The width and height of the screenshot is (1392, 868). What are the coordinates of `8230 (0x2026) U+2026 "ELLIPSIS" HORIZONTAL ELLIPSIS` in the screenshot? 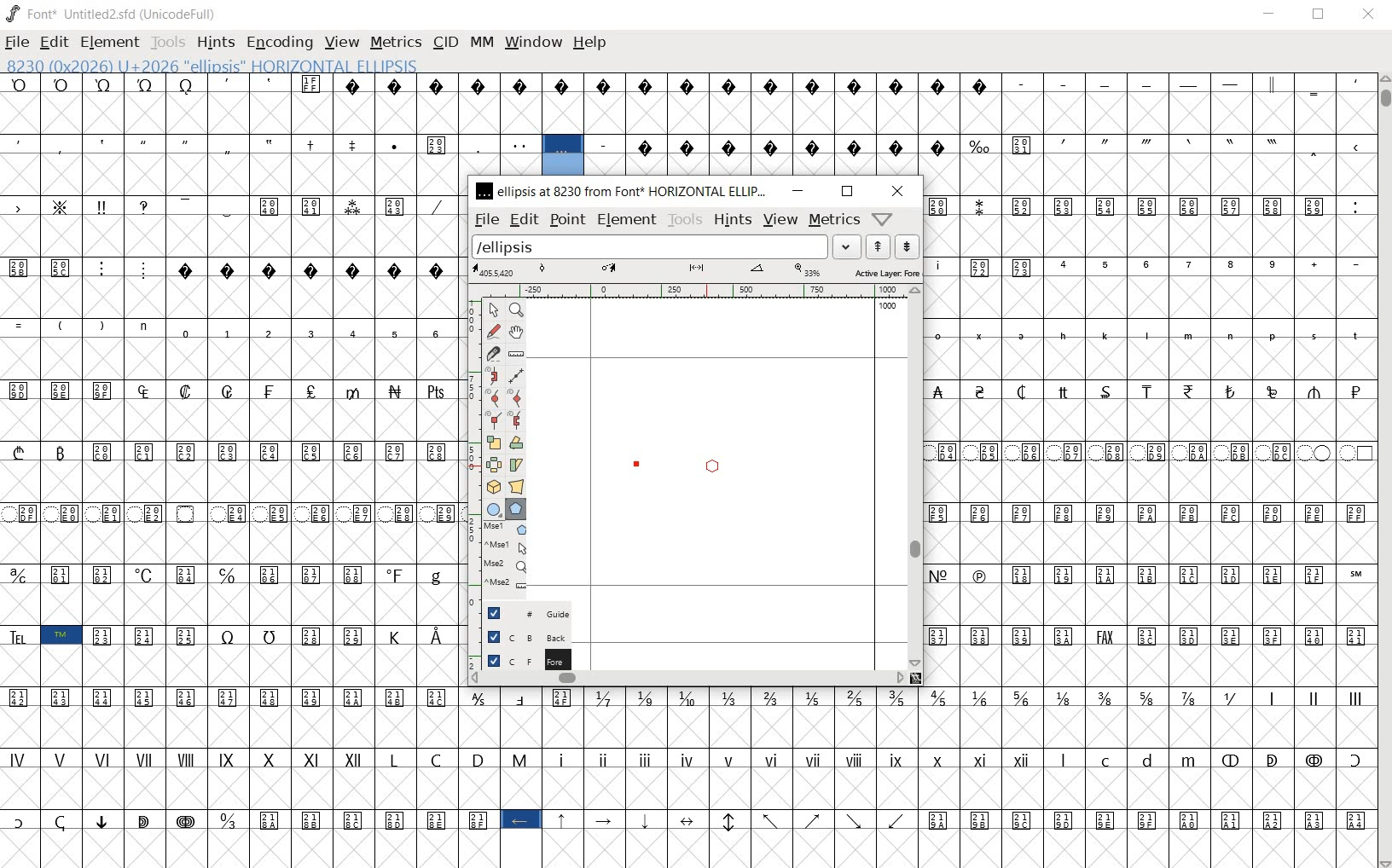 It's located at (270, 65).